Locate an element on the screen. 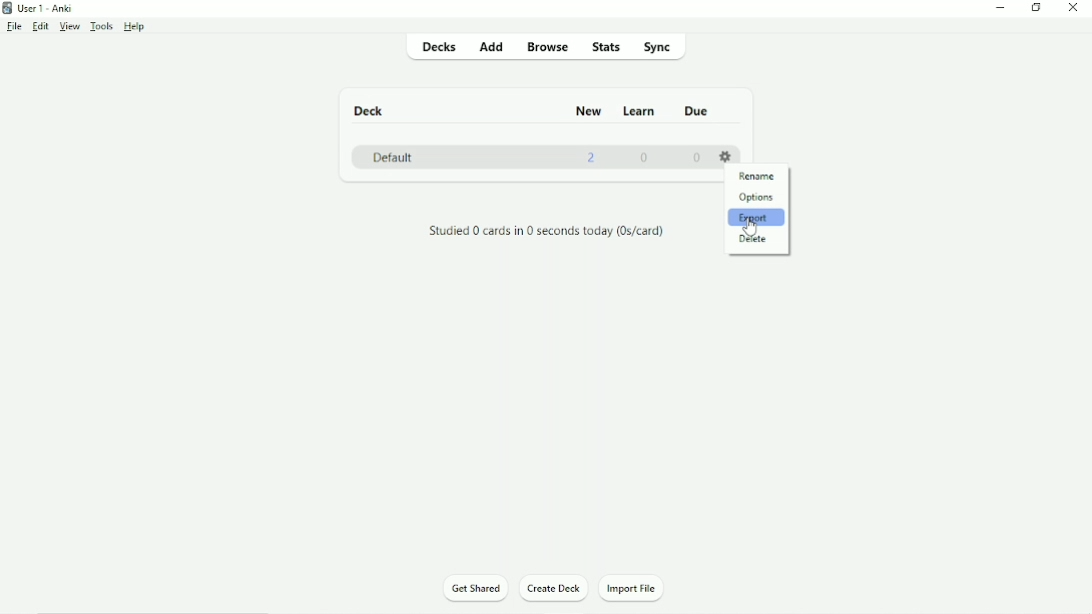  Options is located at coordinates (758, 197).